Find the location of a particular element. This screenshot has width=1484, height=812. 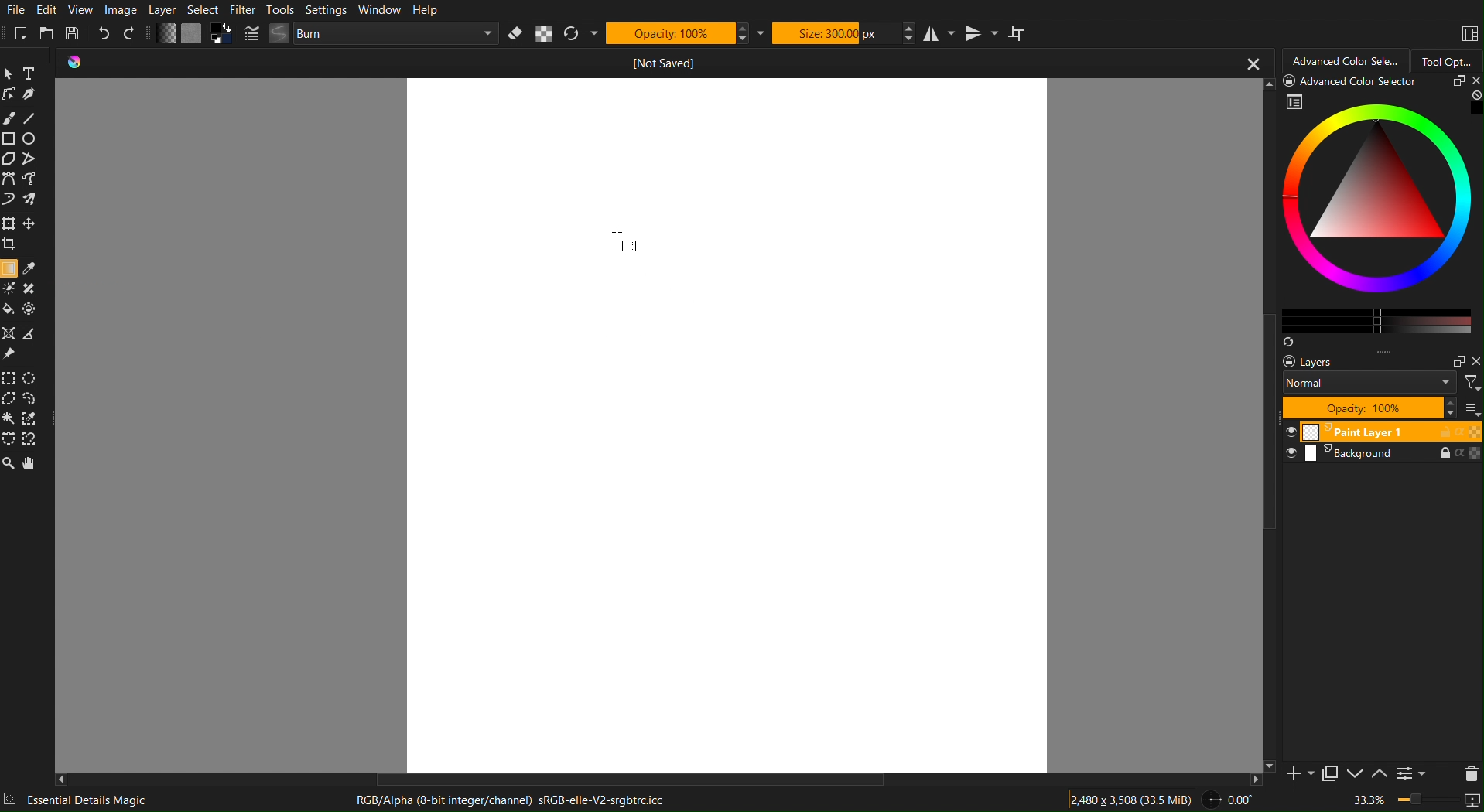

Selection Tools is located at coordinates (26, 407).